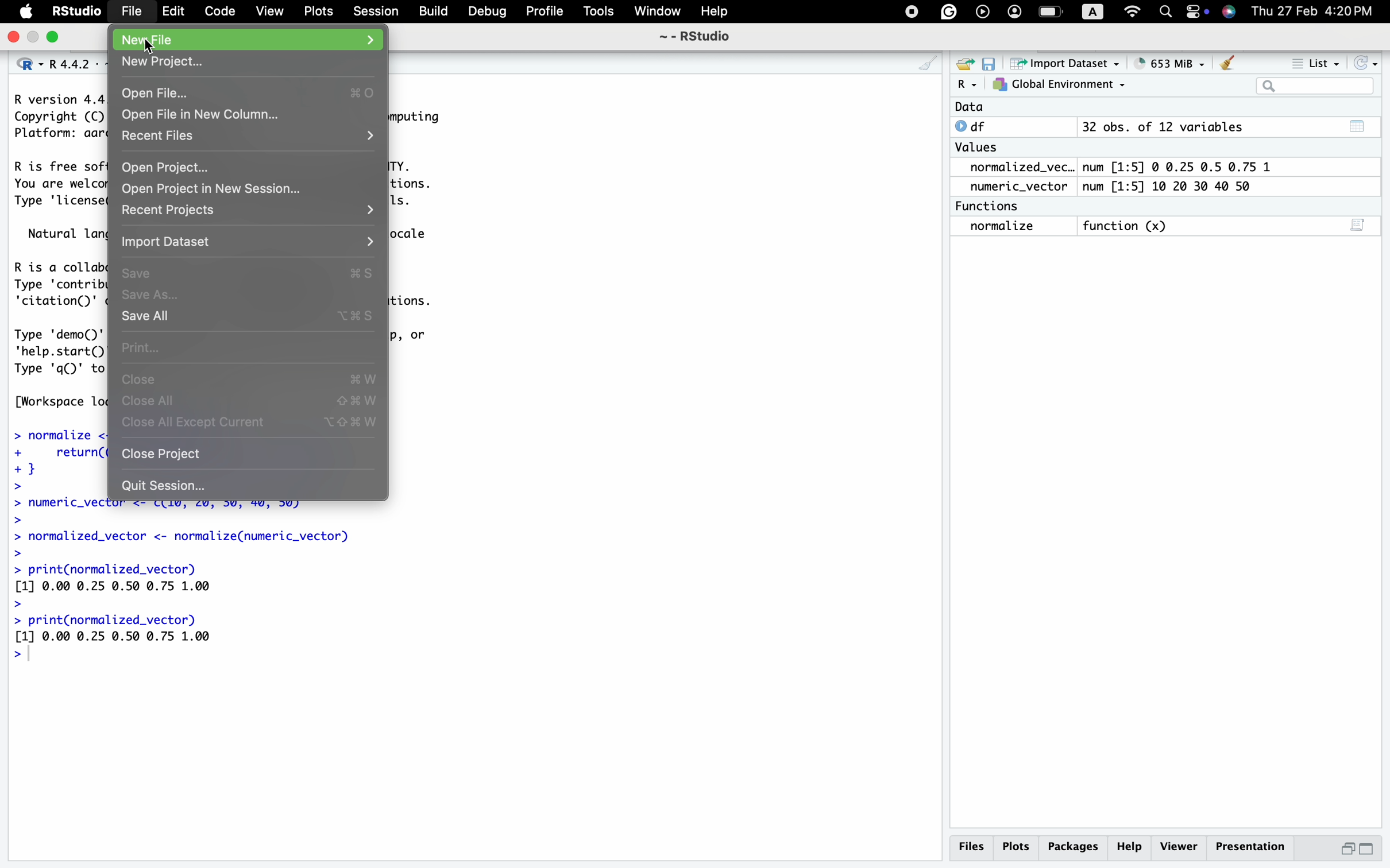  What do you see at coordinates (1252, 845) in the screenshot?
I see `Presentation` at bounding box center [1252, 845].